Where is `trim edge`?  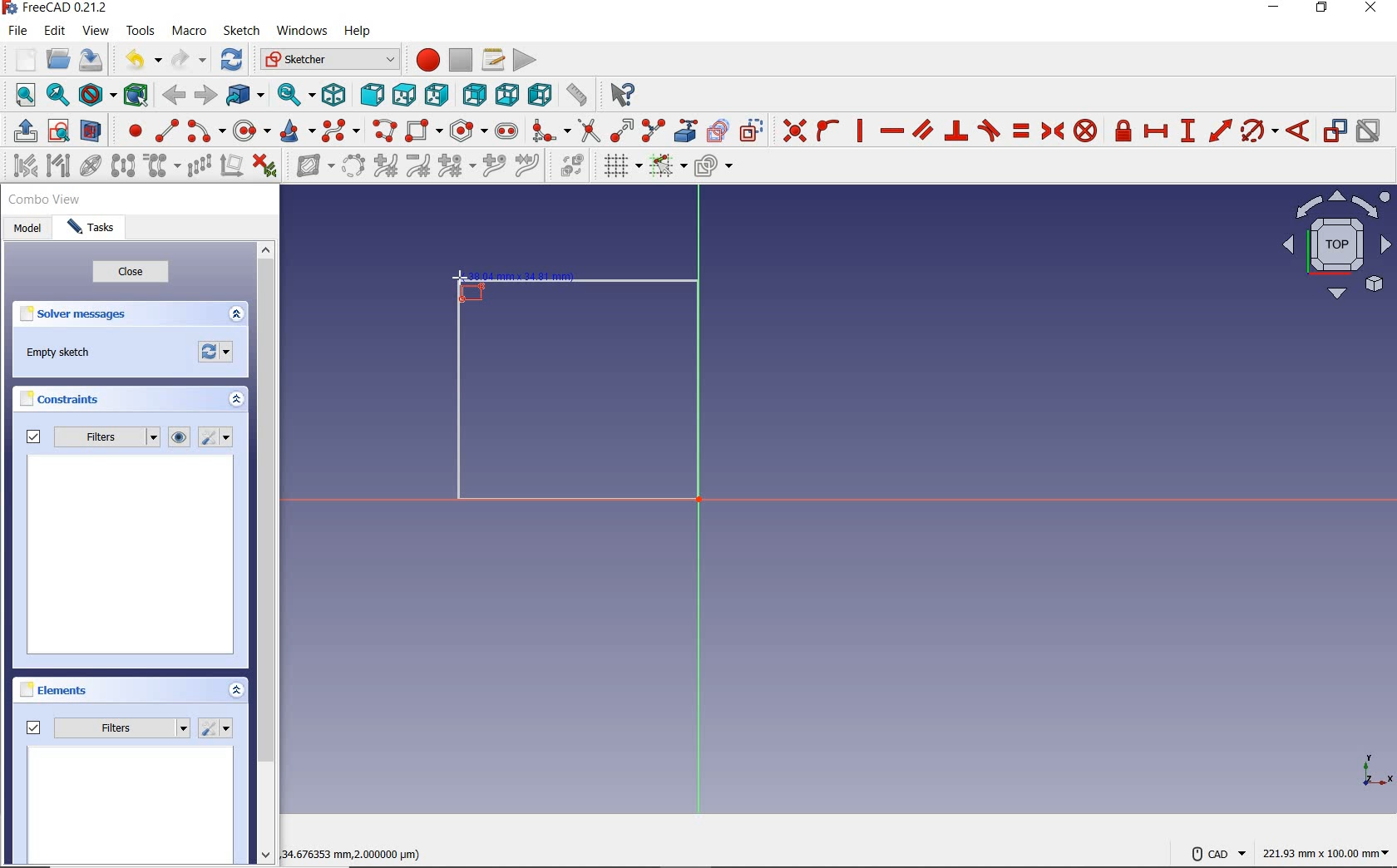
trim edge is located at coordinates (588, 131).